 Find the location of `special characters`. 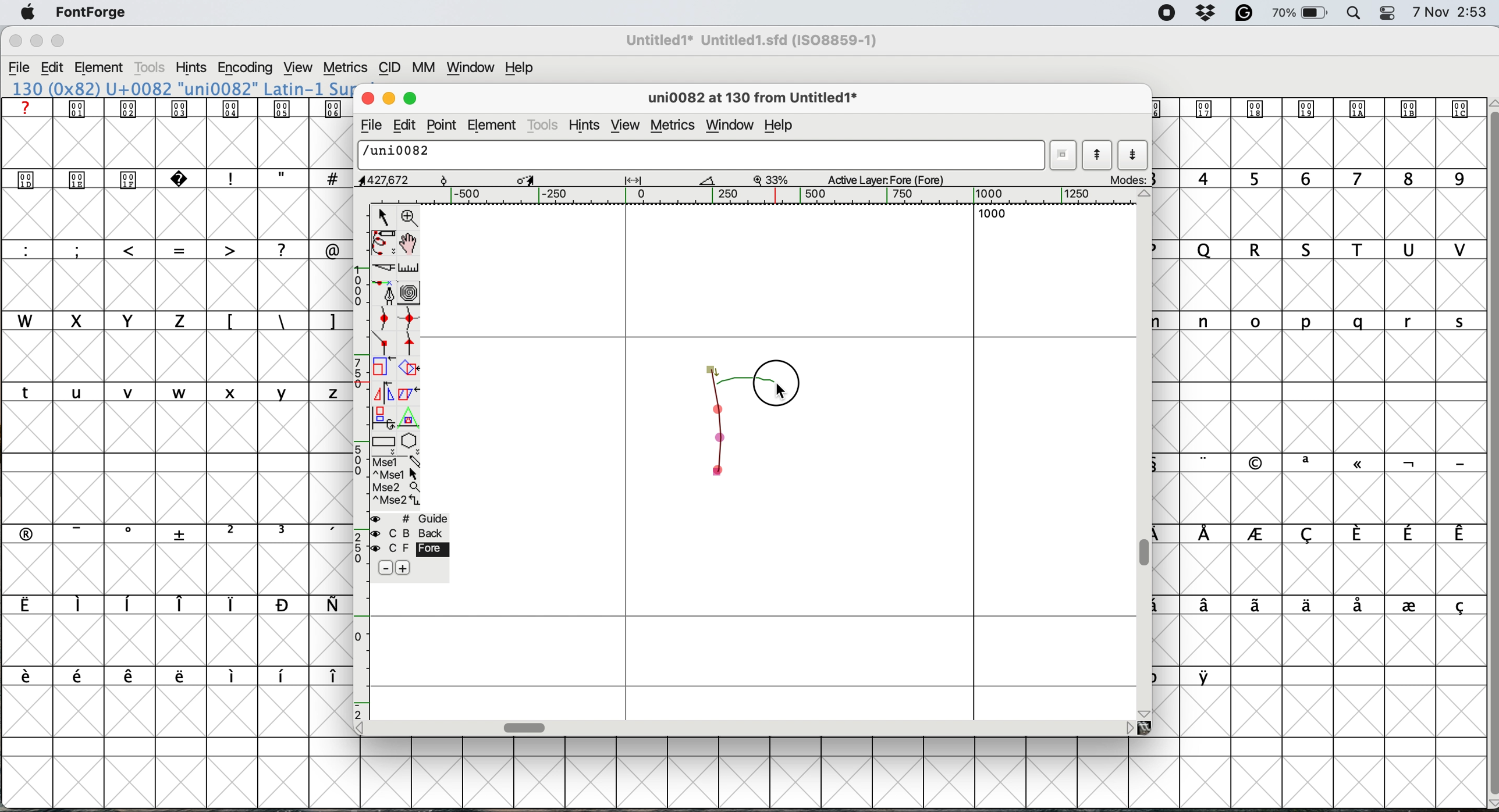

special characters is located at coordinates (1191, 676).